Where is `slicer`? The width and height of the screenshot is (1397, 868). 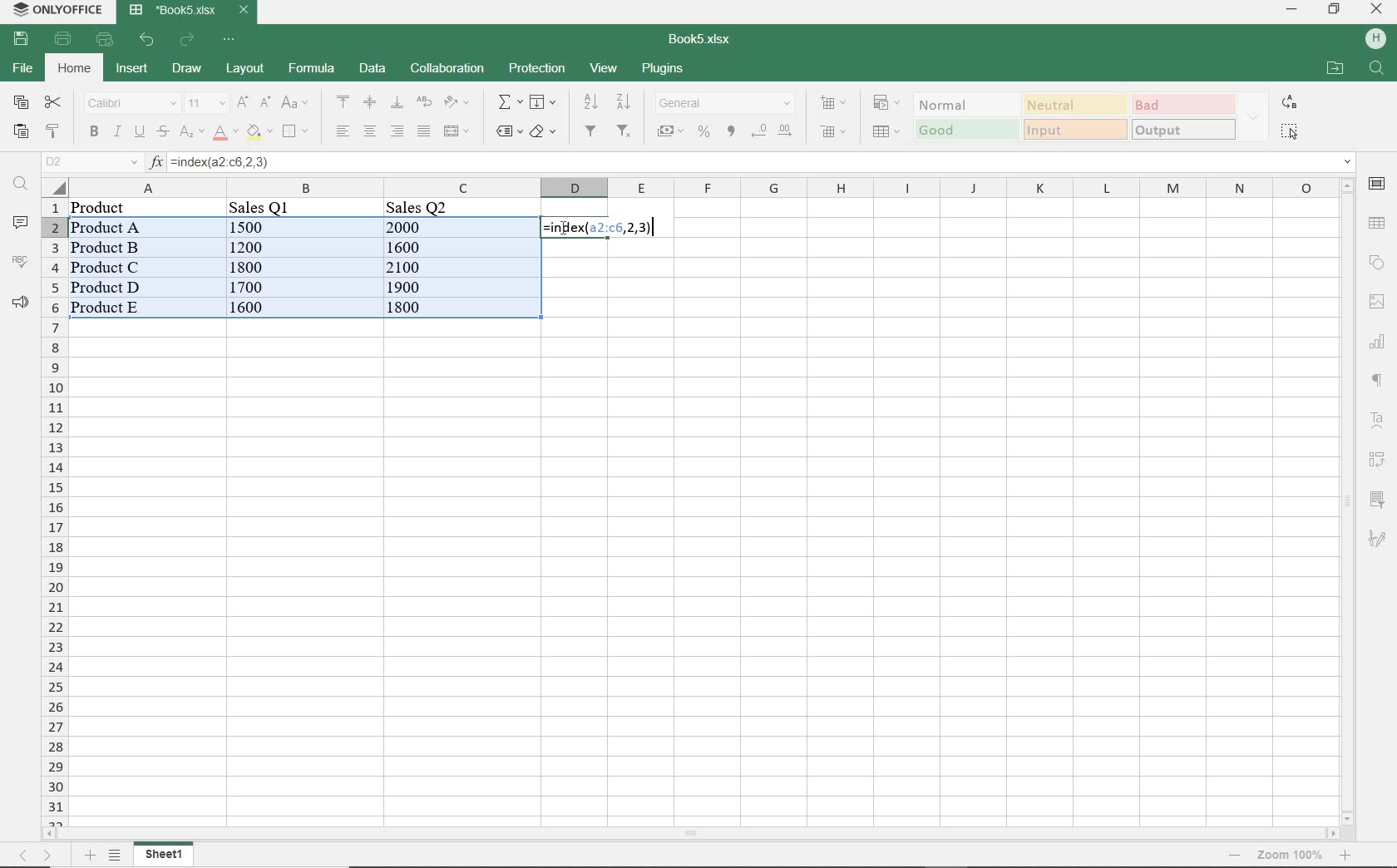 slicer is located at coordinates (1377, 499).